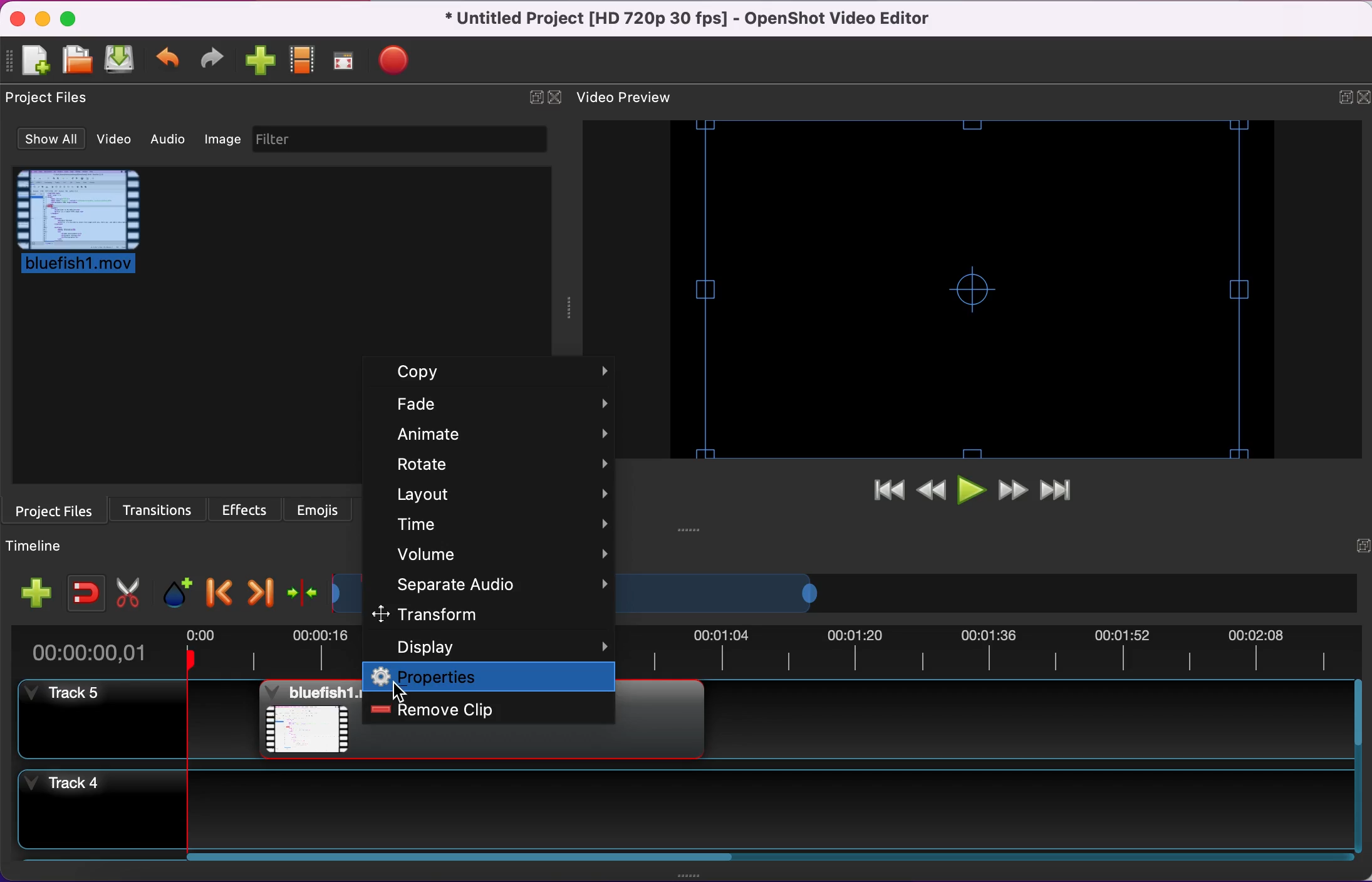 This screenshot has height=882, width=1372. What do you see at coordinates (244, 511) in the screenshot?
I see `effects` at bounding box center [244, 511].